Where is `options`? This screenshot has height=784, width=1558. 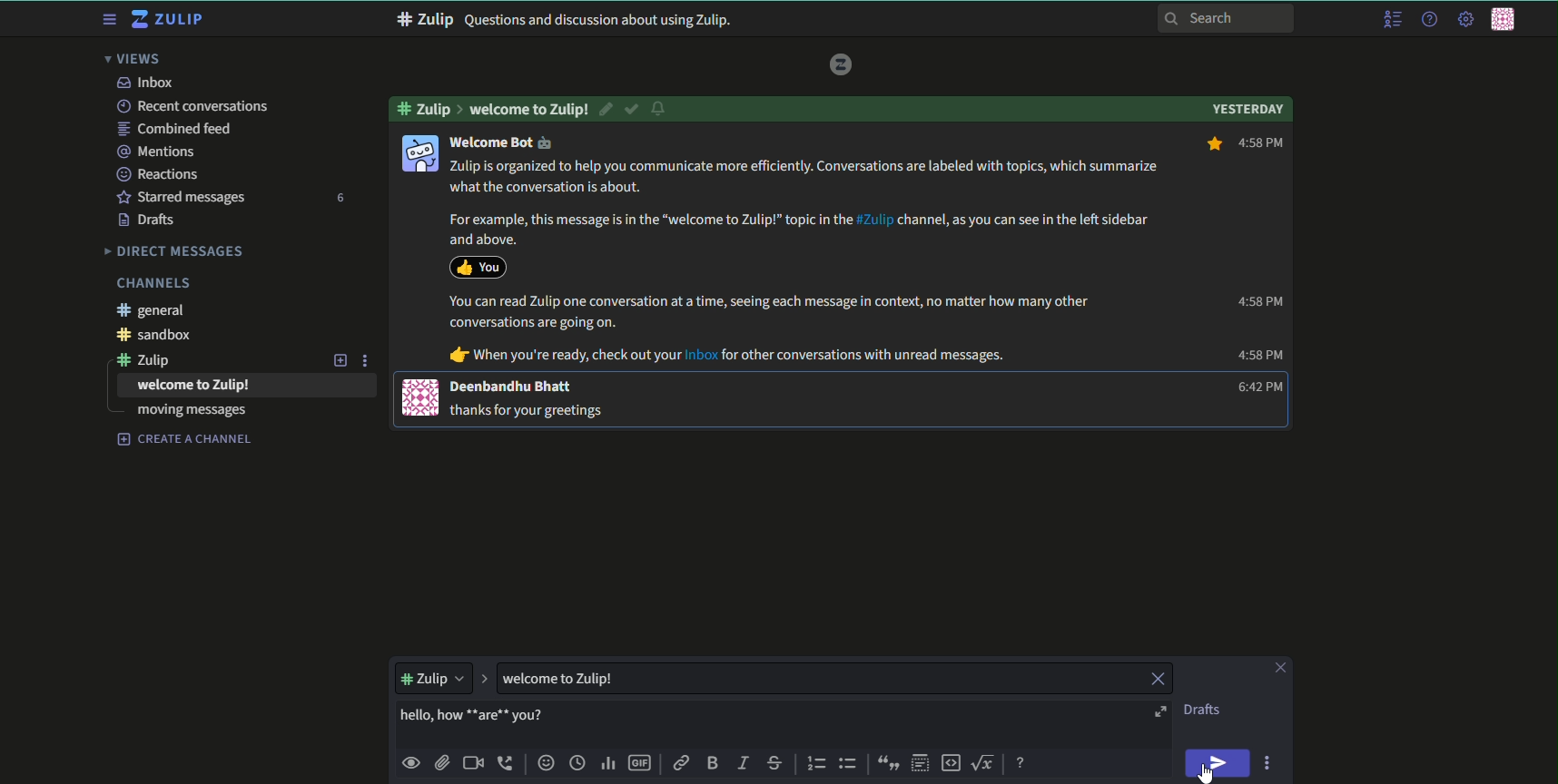
options is located at coordinates (368, 359).